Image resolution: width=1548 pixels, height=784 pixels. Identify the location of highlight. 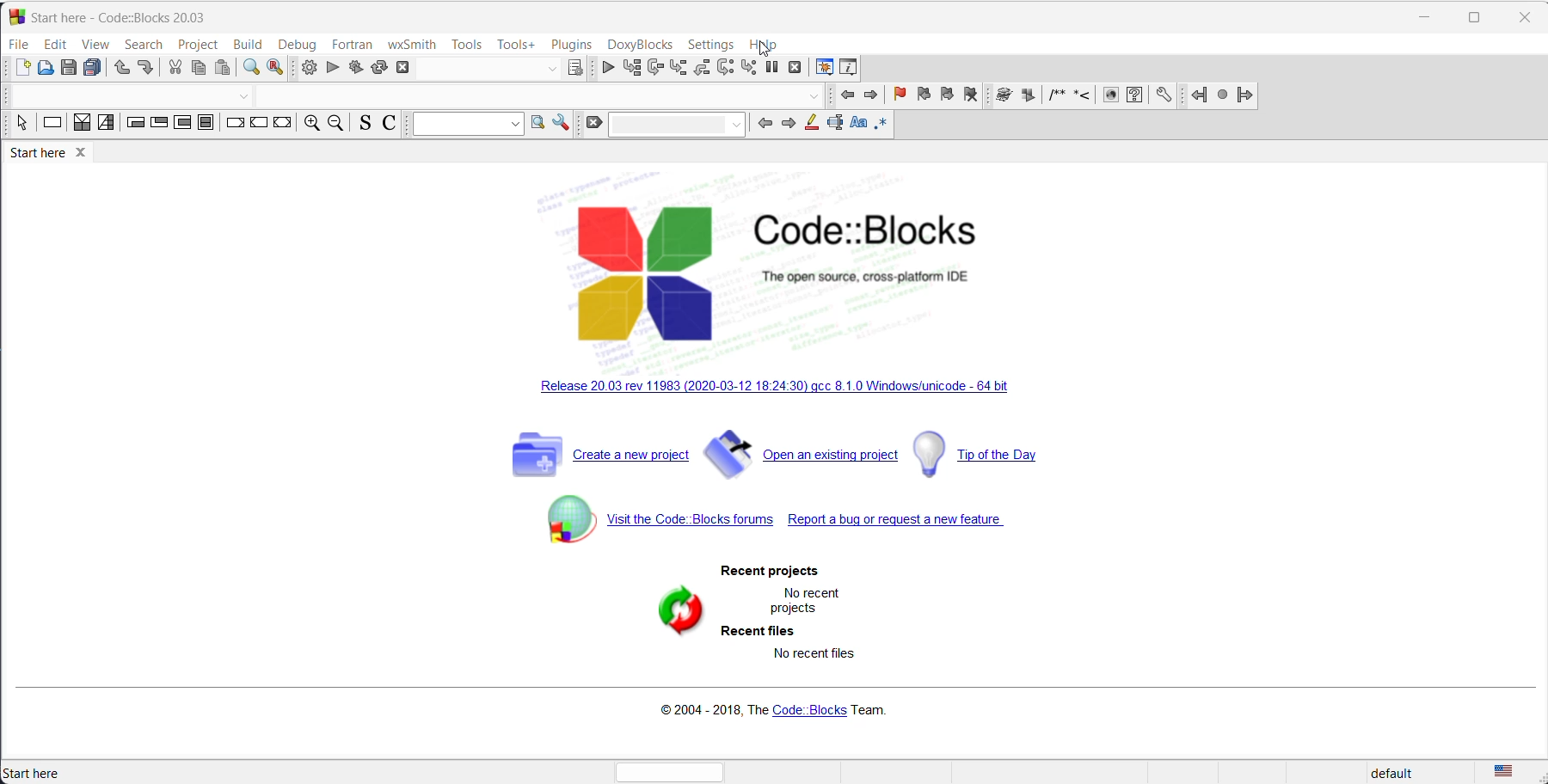
(811, 126).